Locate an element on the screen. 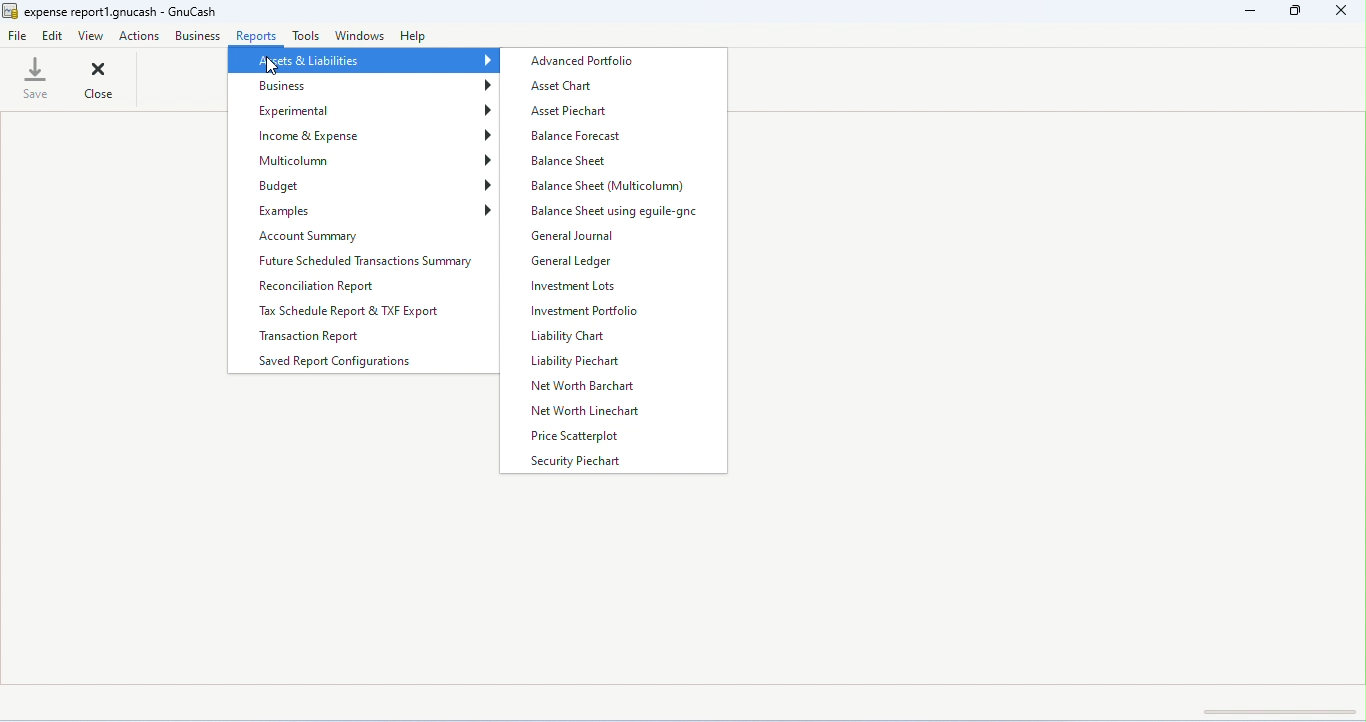  asset chart is located at coordinates (564, 87).